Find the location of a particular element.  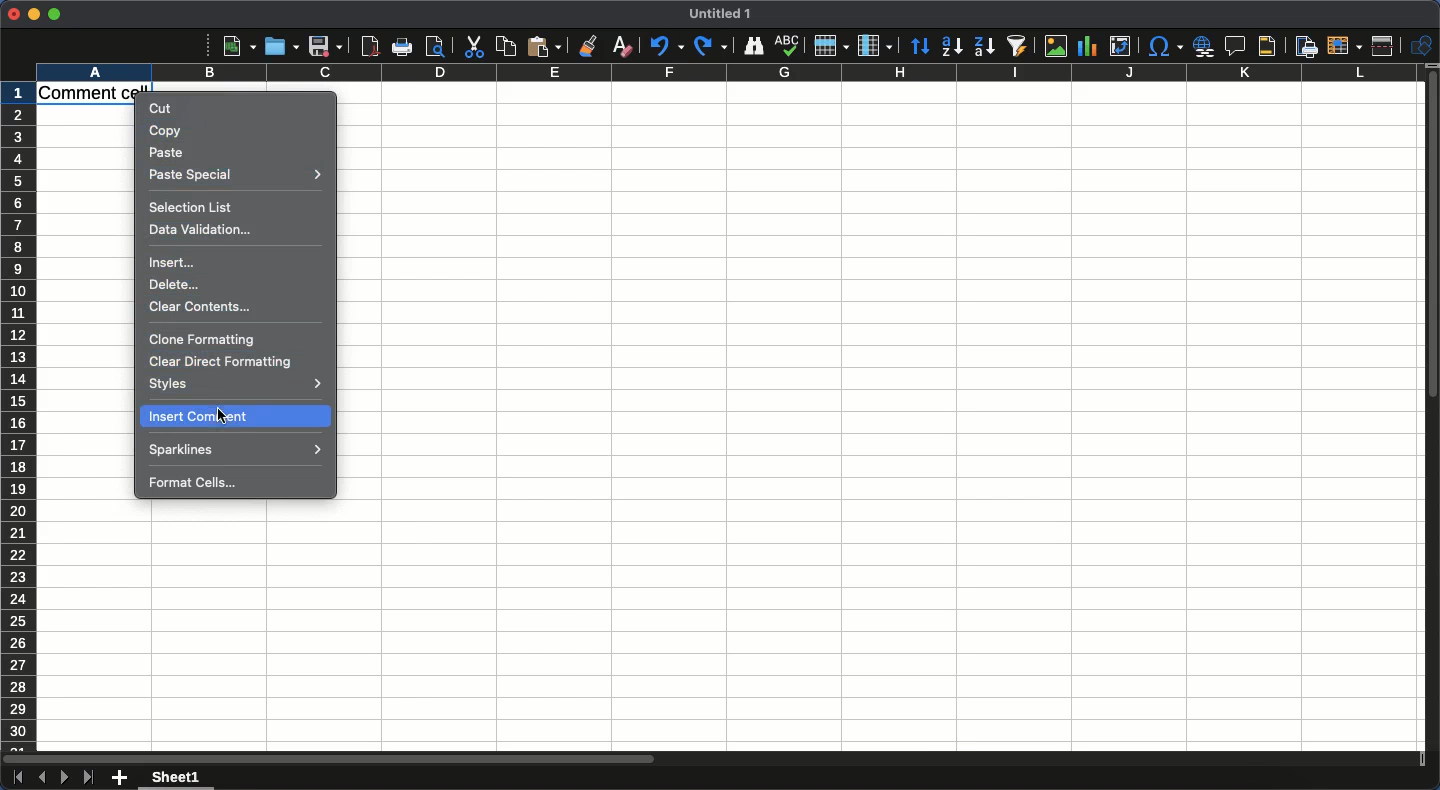

Split window is located at coordinates (1383, 45).